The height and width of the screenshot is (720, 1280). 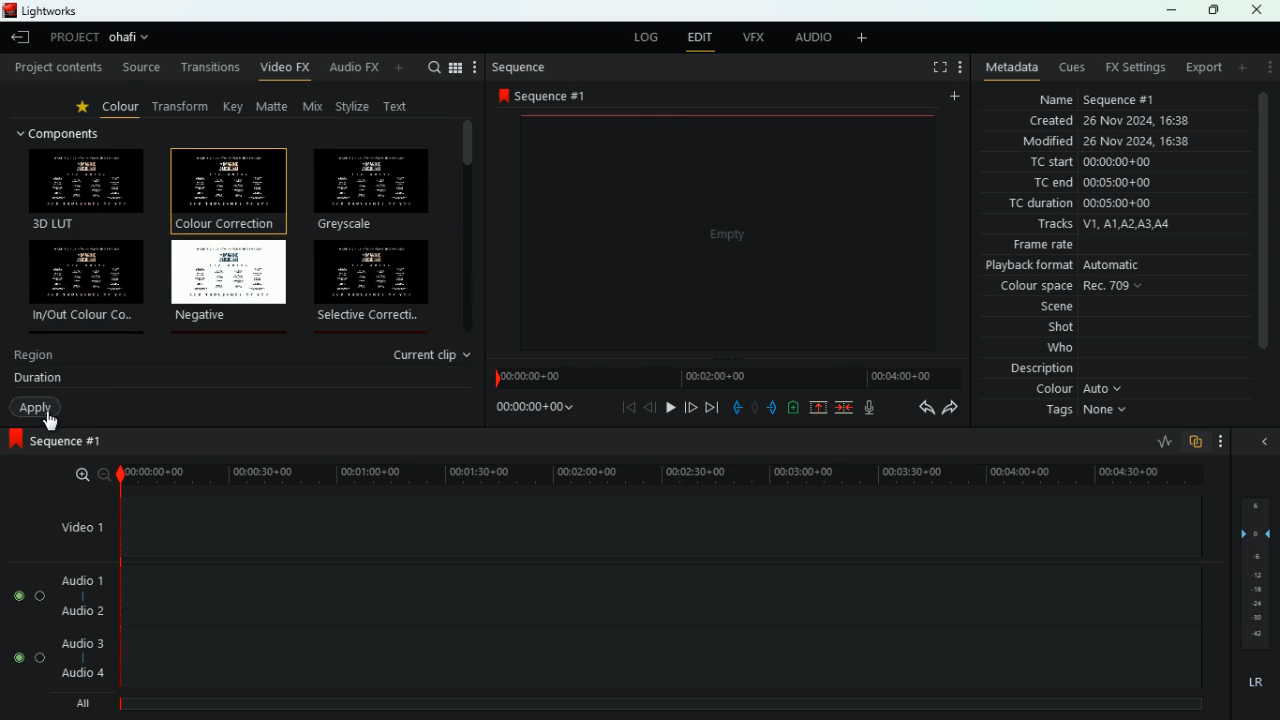 I want to click on modified, so click(x=1109, y=142).